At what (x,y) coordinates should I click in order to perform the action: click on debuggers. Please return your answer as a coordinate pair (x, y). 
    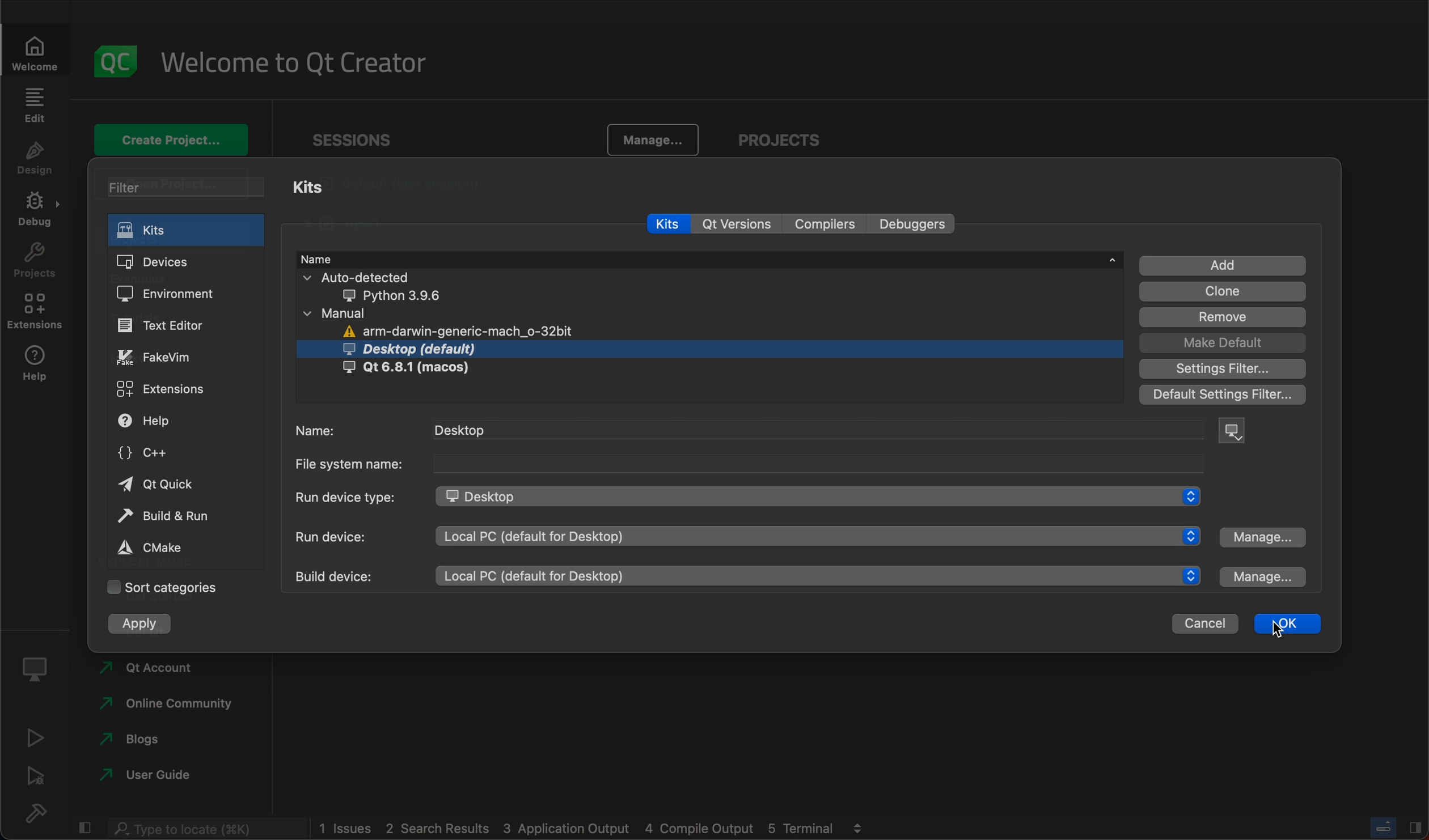
    Looking at the image, I should click on (913, 224).